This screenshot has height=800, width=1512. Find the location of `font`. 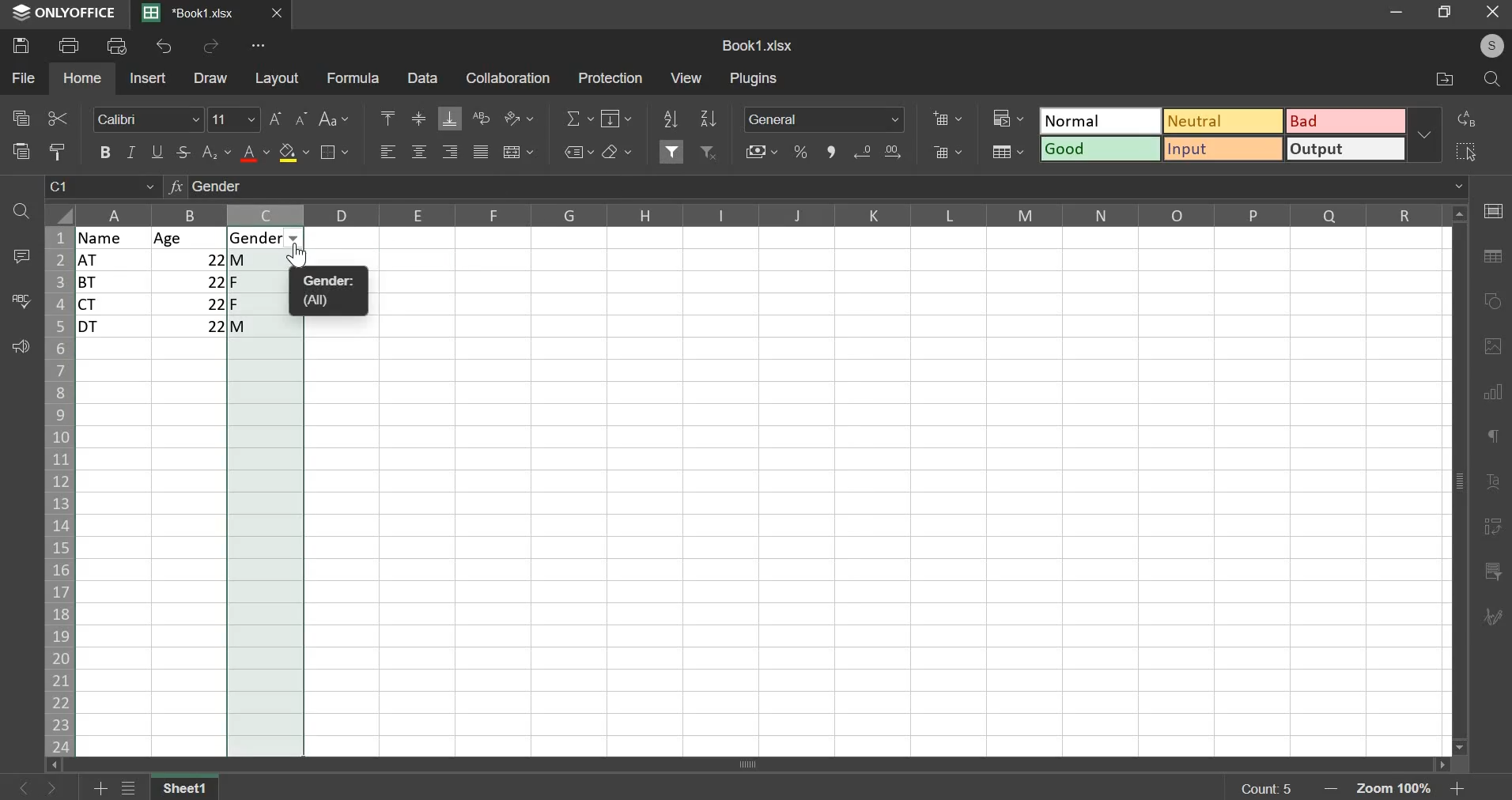

font is located at coordinates (149, 119).